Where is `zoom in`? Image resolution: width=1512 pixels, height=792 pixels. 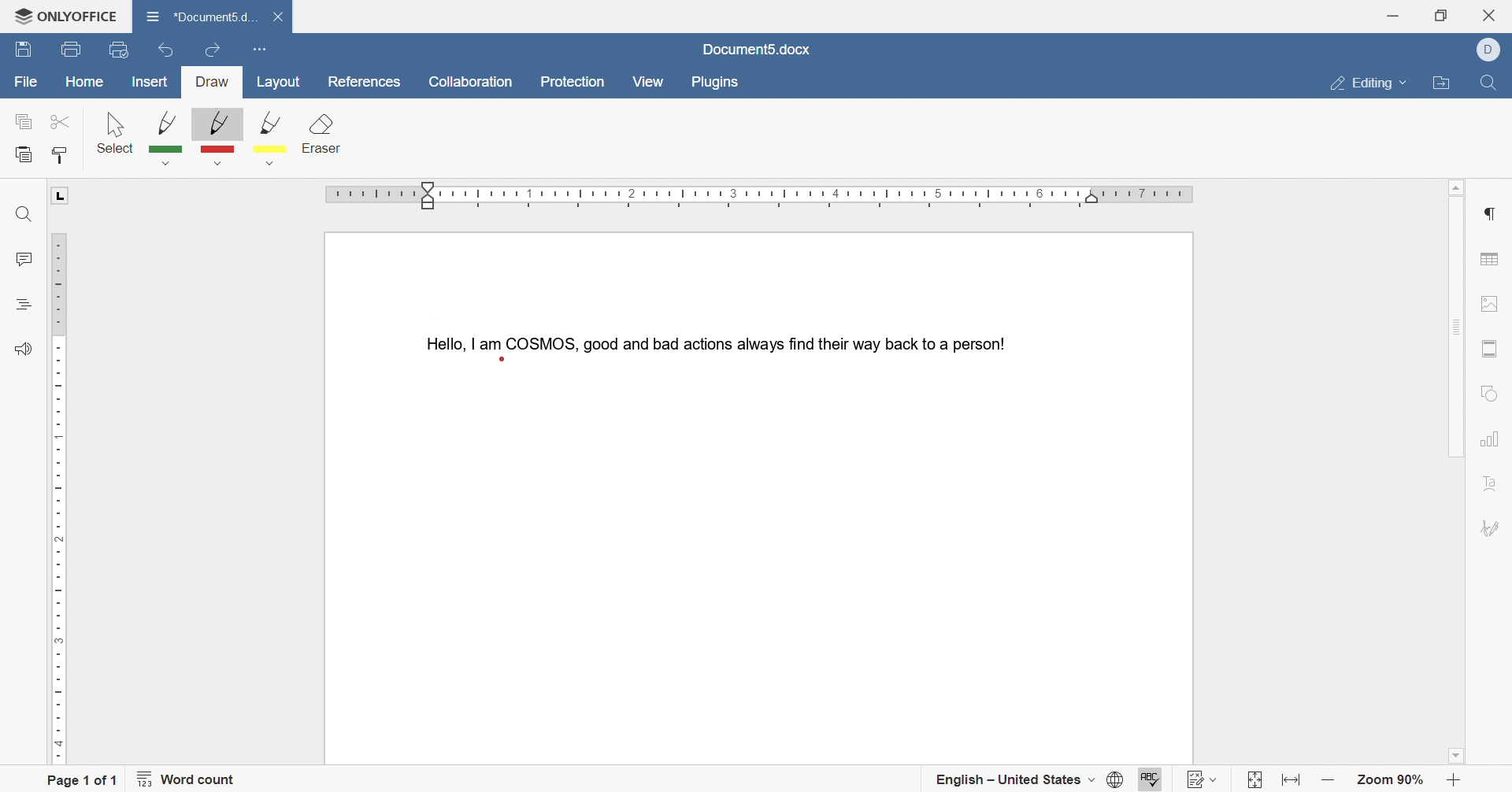 zoom in is located at coordinates (1453, 781).